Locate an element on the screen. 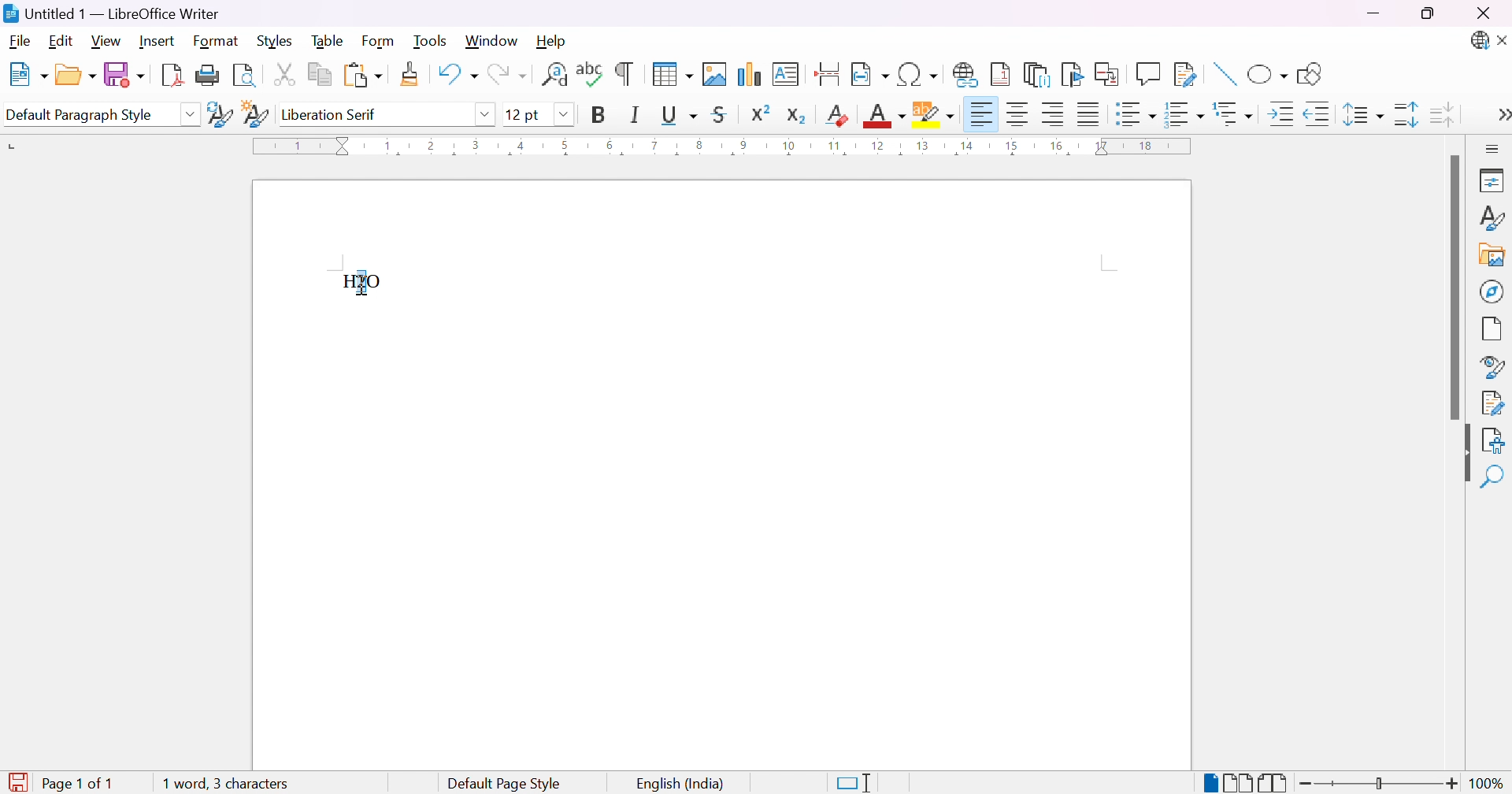 This screenshot has width=1512, height=794. Set line spacing is located at coordinates (1360, 115).